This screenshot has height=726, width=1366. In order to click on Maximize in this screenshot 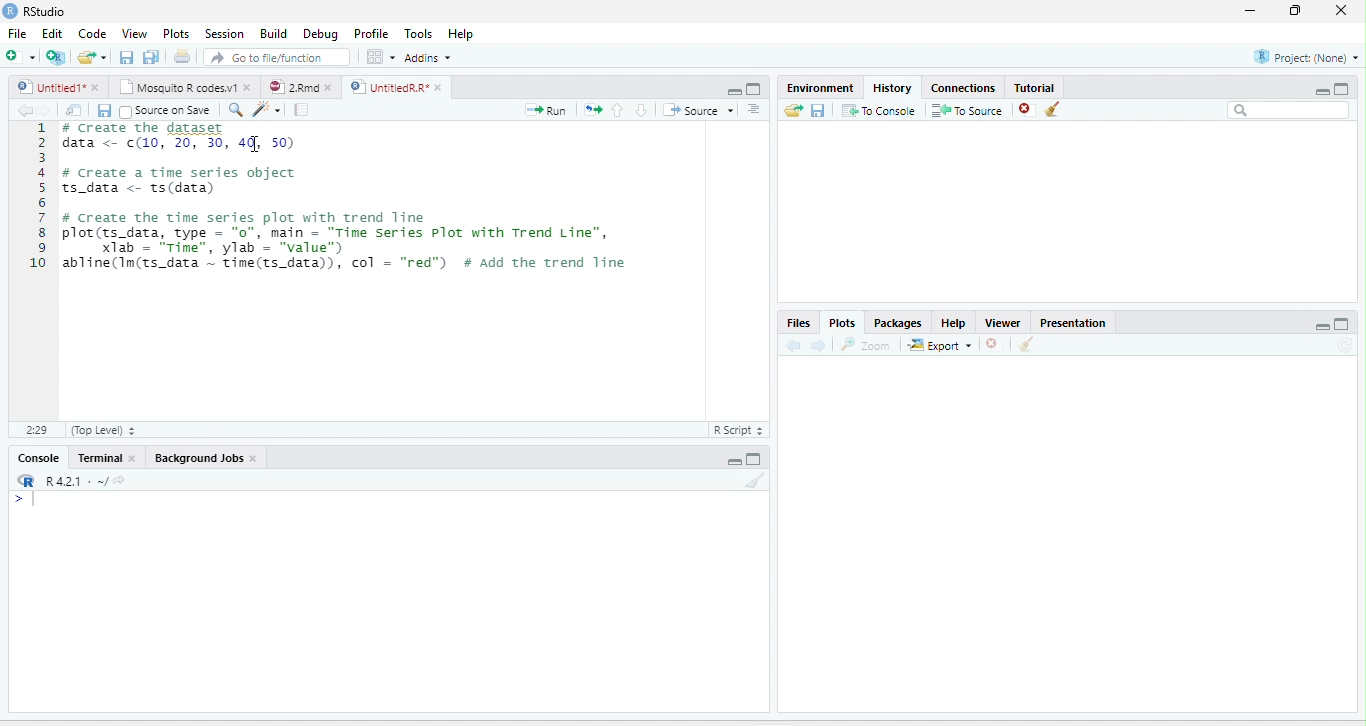, I will do `click(755, 89)`.